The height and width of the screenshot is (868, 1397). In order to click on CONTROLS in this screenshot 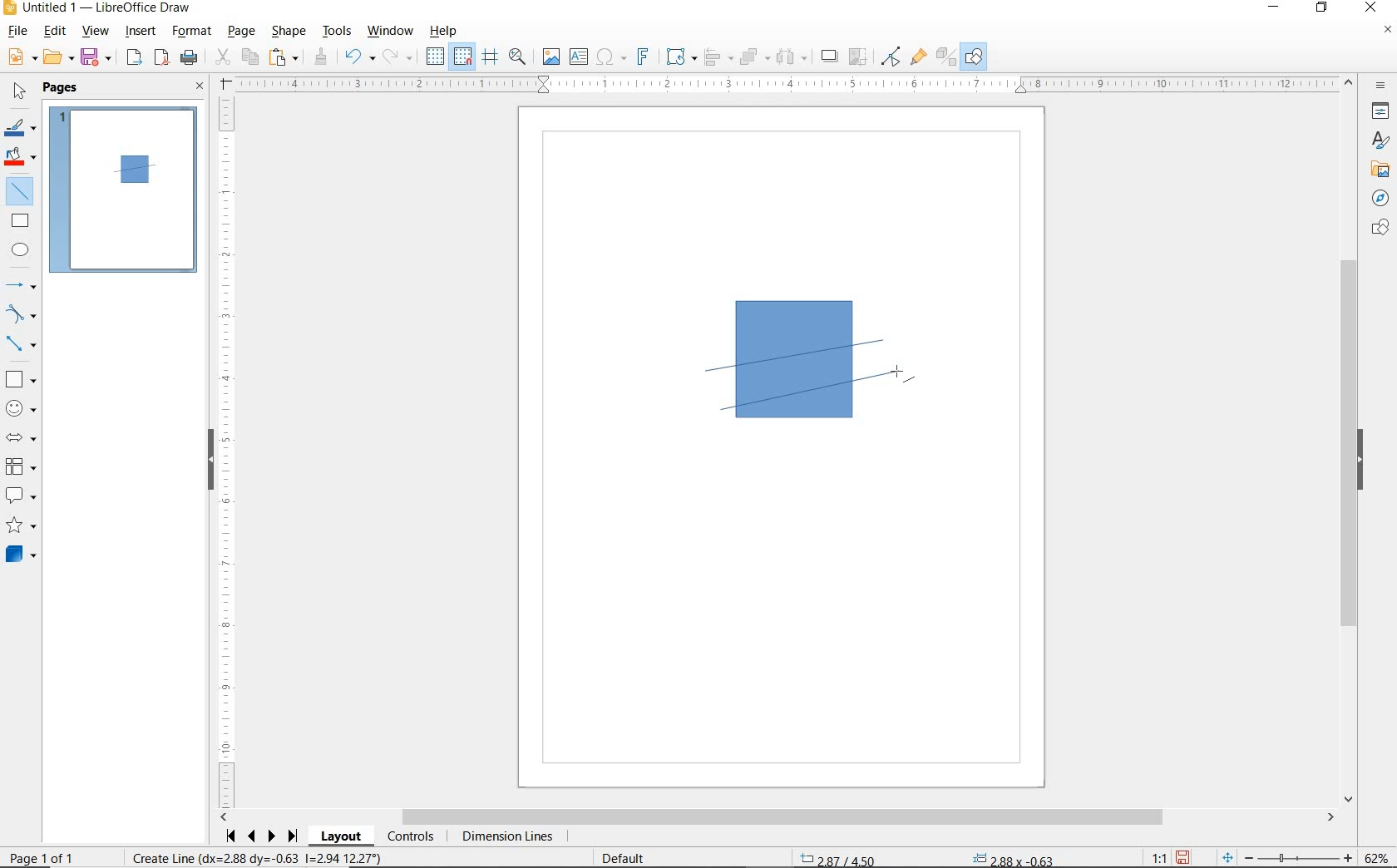, I will do `click(410, 837)`.